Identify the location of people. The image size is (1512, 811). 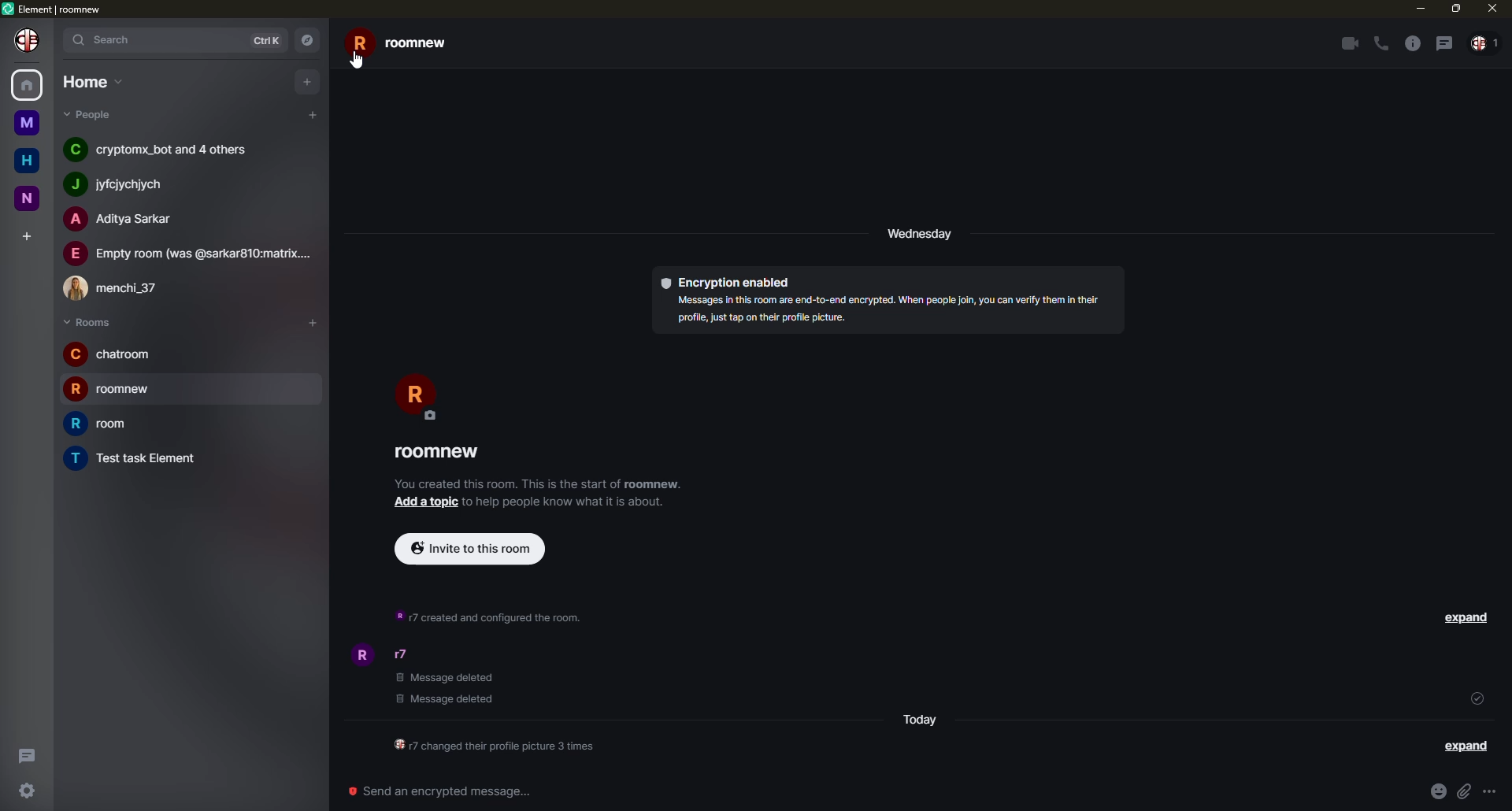
(163, 150).